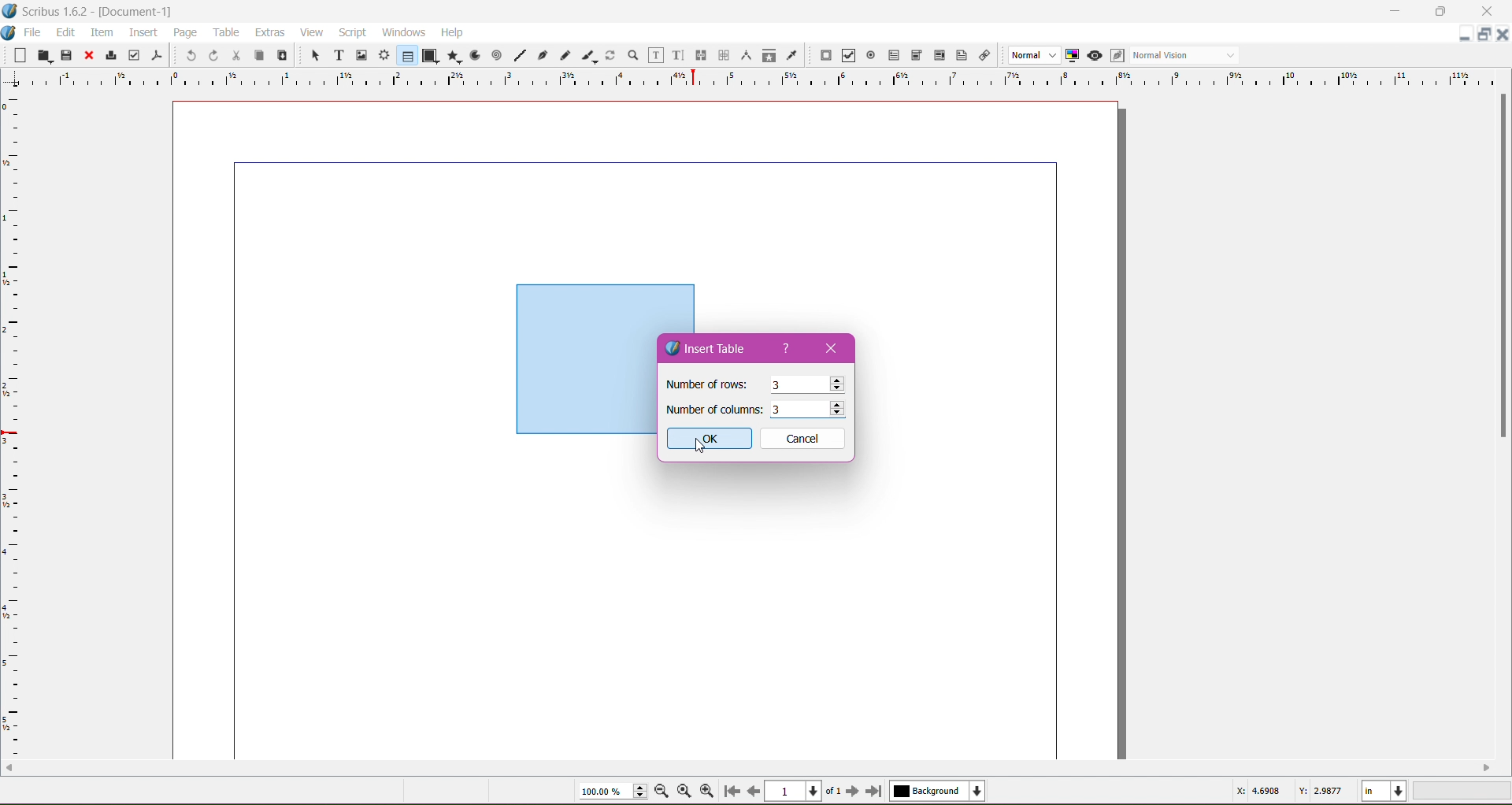 Image resolution: width=1512 pixels, height=805 pixels. Describe the element at coordinates (707, 384) in the screenshot. I see `Number of rows:` at that location.